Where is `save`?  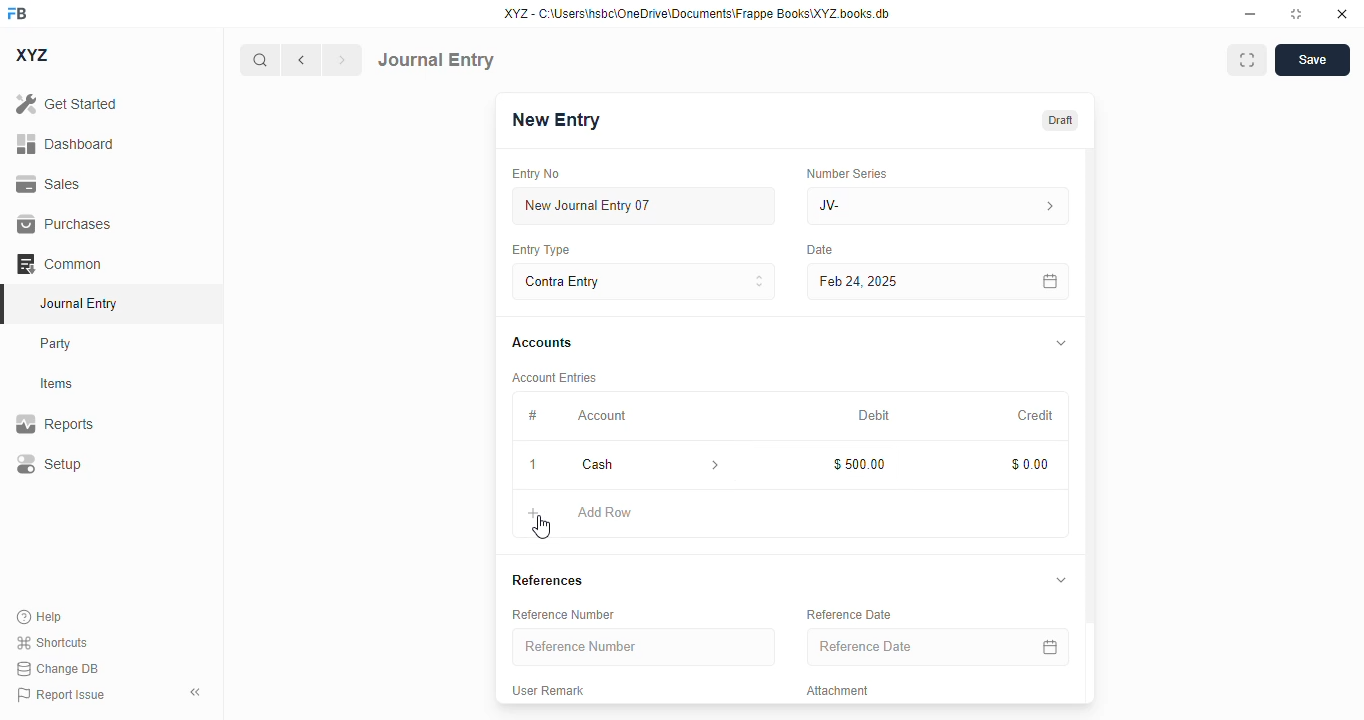 save is located at coordinates (1312, 60).